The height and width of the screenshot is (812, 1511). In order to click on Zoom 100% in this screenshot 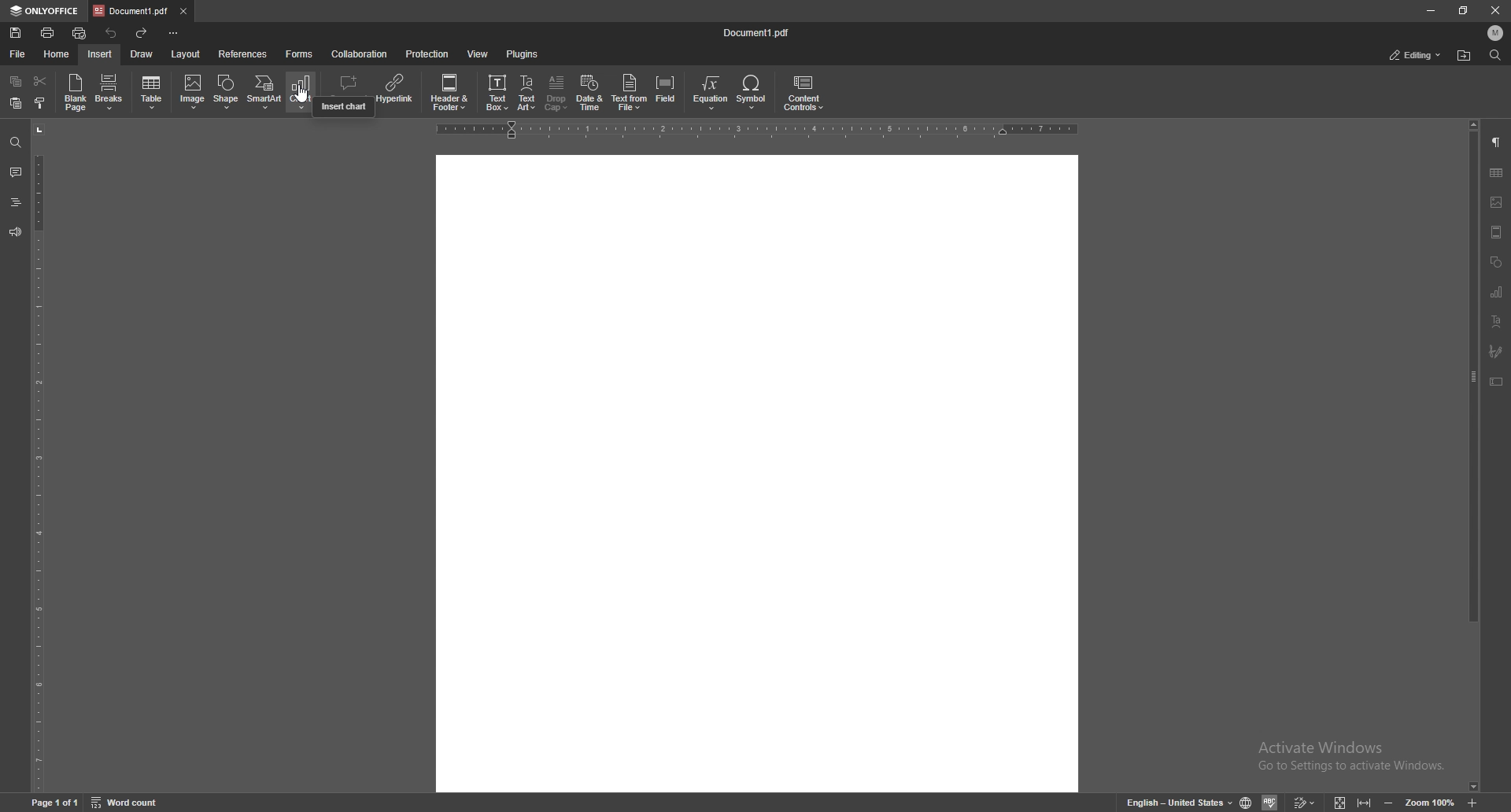, I will do `click(1434, 802)`.